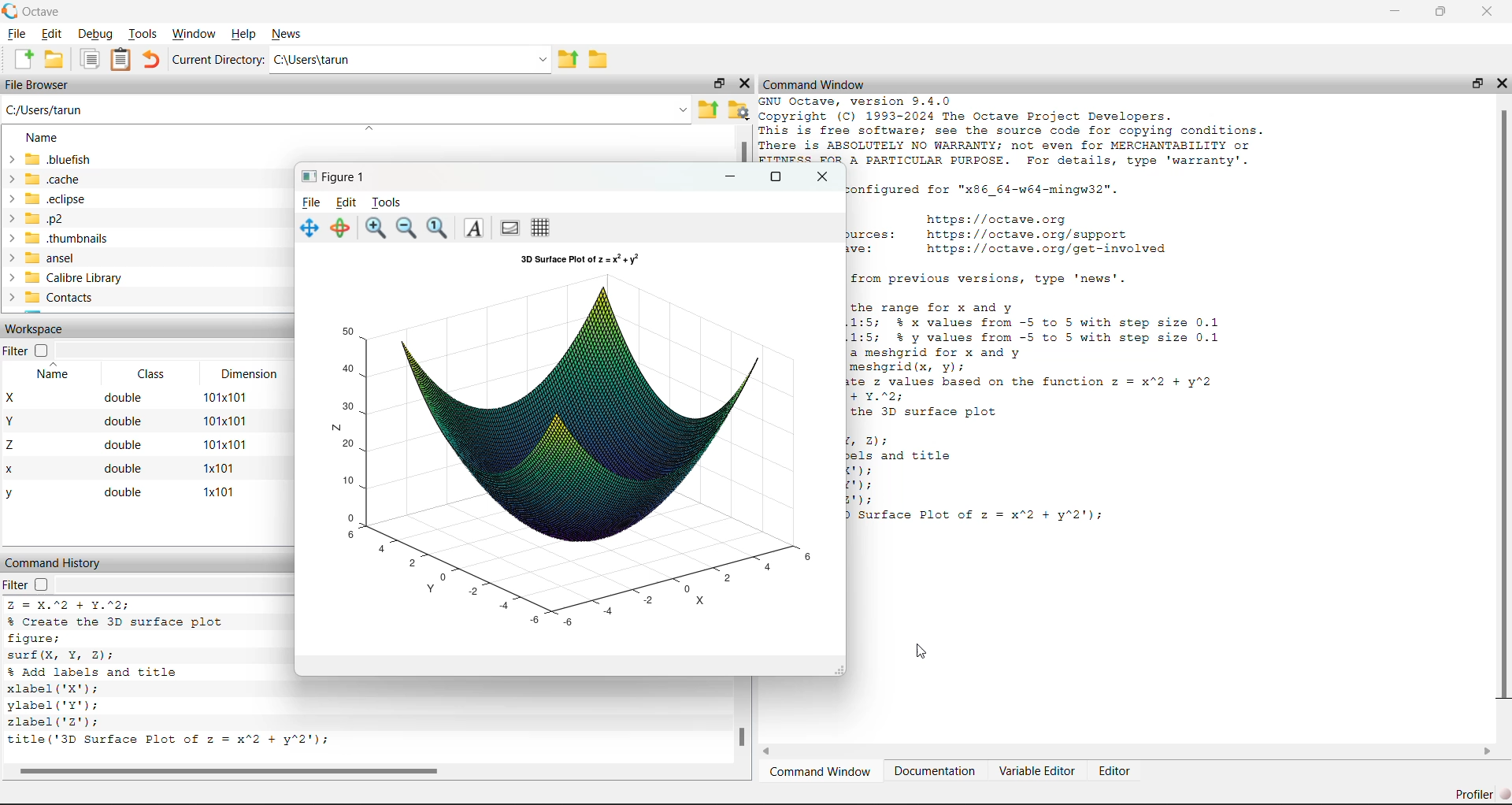 This screenshot has width=1512, height=805. I want to click on GNU Octave, version 9.4.0

copyright (C) 1993-2024 The Octave Project Developers.

This is free software; see the source code for copying conditions.
There is ABSOLUTELY NO WARRANTY; not even for MERCHANTABILITY or
FITNESS FOR A PARTICULAR PURPOSE. For details, type 'warranty'., so click(1021, 129).